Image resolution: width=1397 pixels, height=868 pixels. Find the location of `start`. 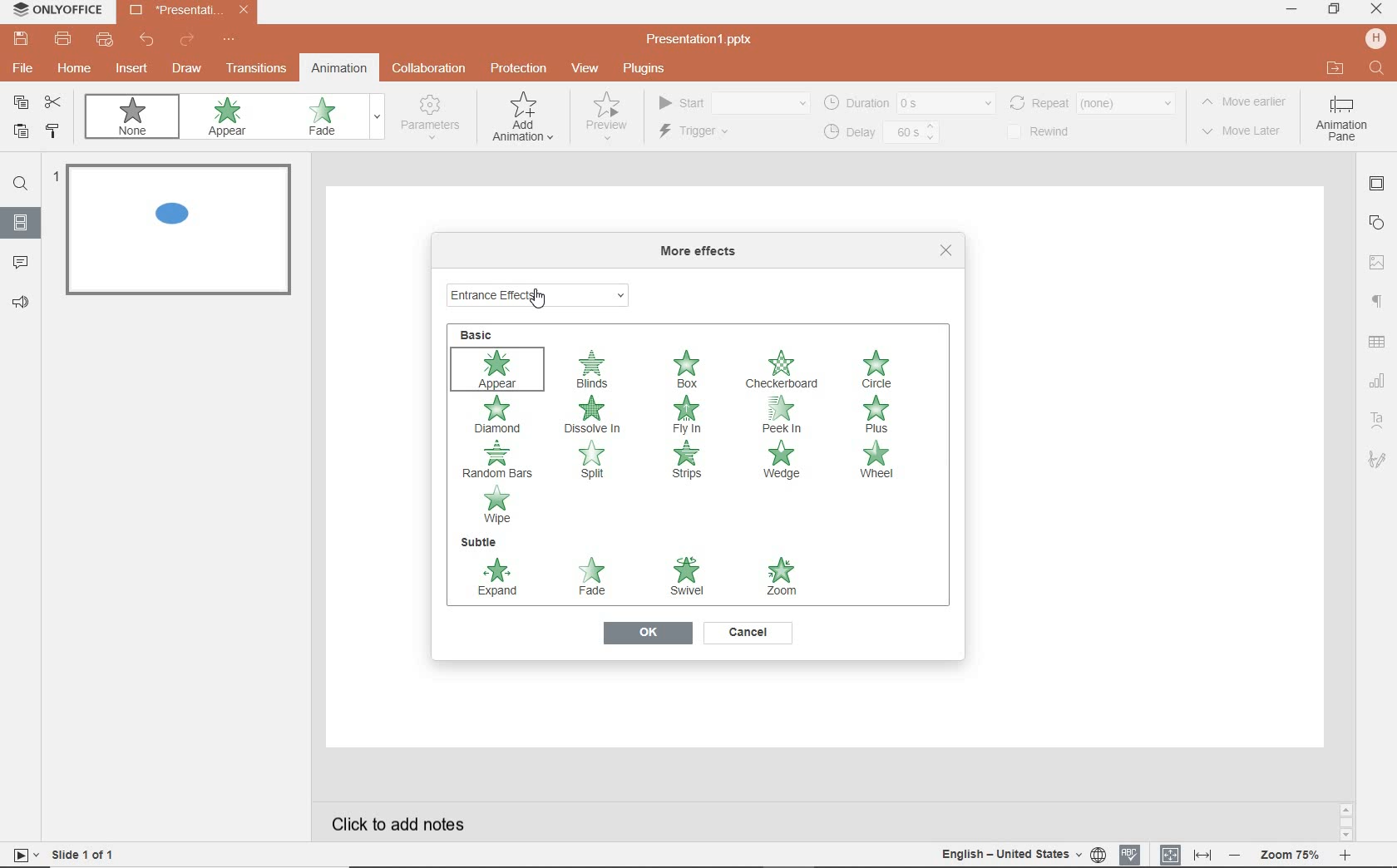

start is located at coordinates (732, 104).